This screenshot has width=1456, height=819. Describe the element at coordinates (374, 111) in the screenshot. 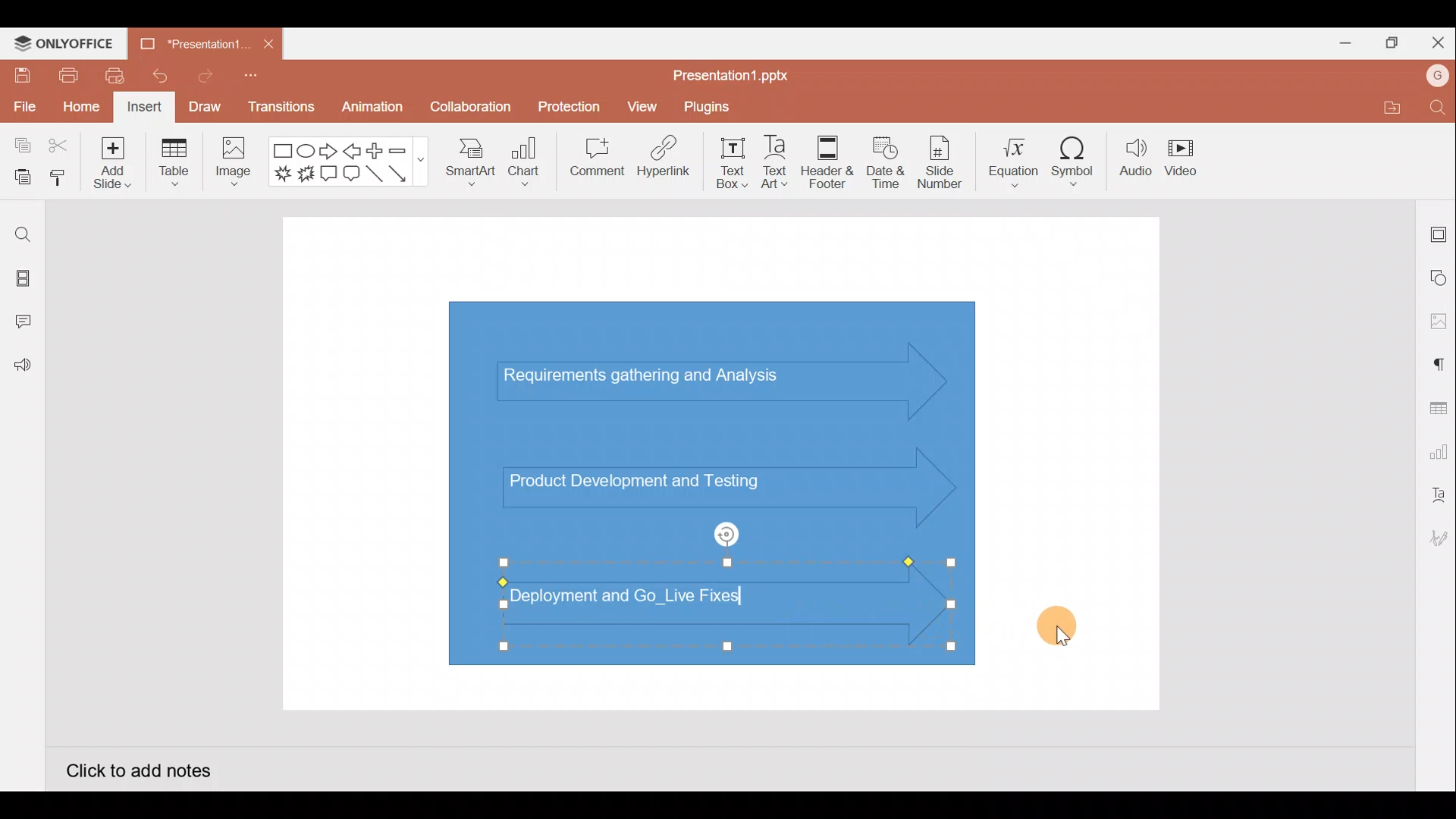

I see `Animation` at that location.